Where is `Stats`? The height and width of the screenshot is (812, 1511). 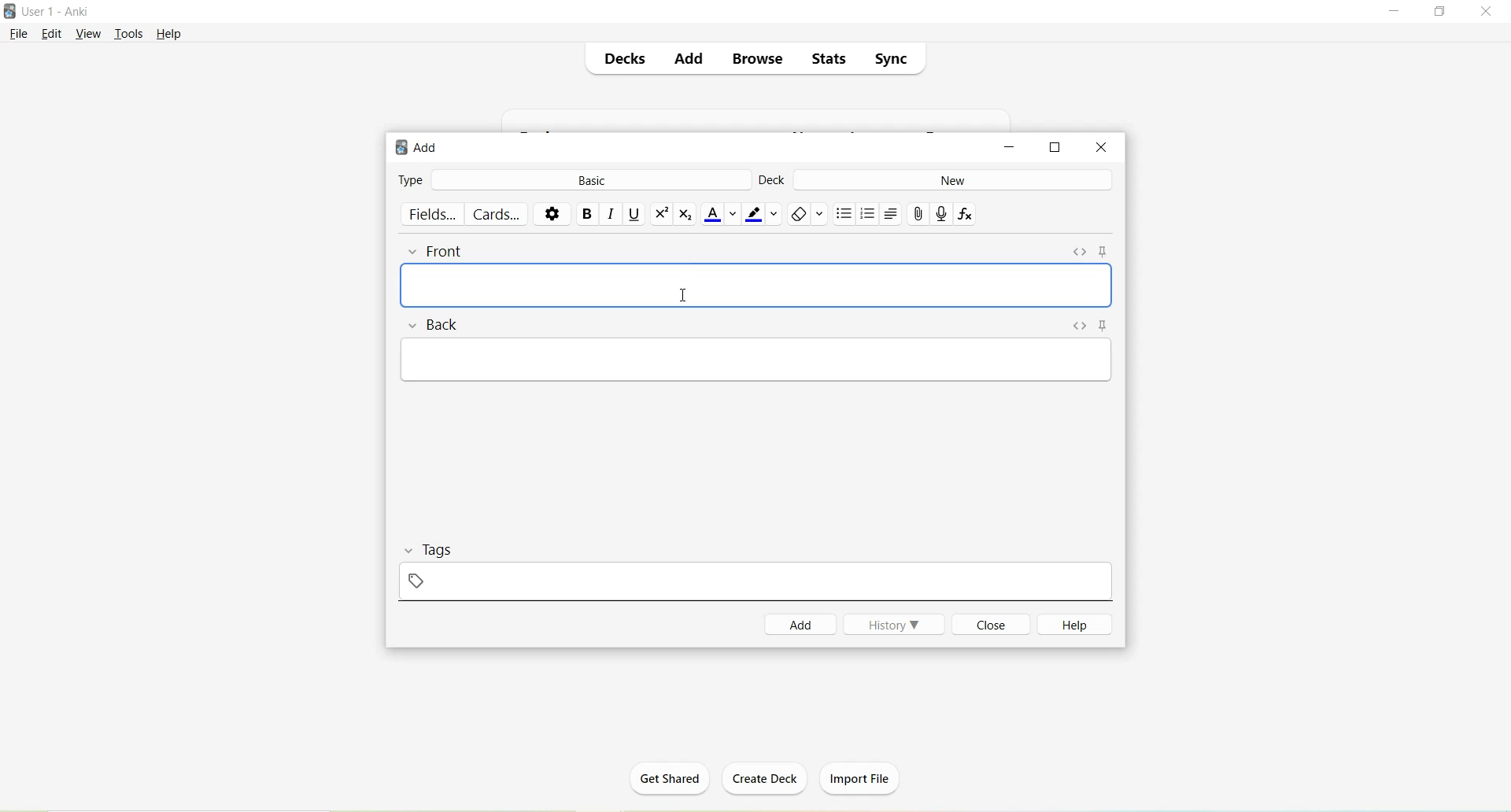 Stats is located at coordinates (826, 59).